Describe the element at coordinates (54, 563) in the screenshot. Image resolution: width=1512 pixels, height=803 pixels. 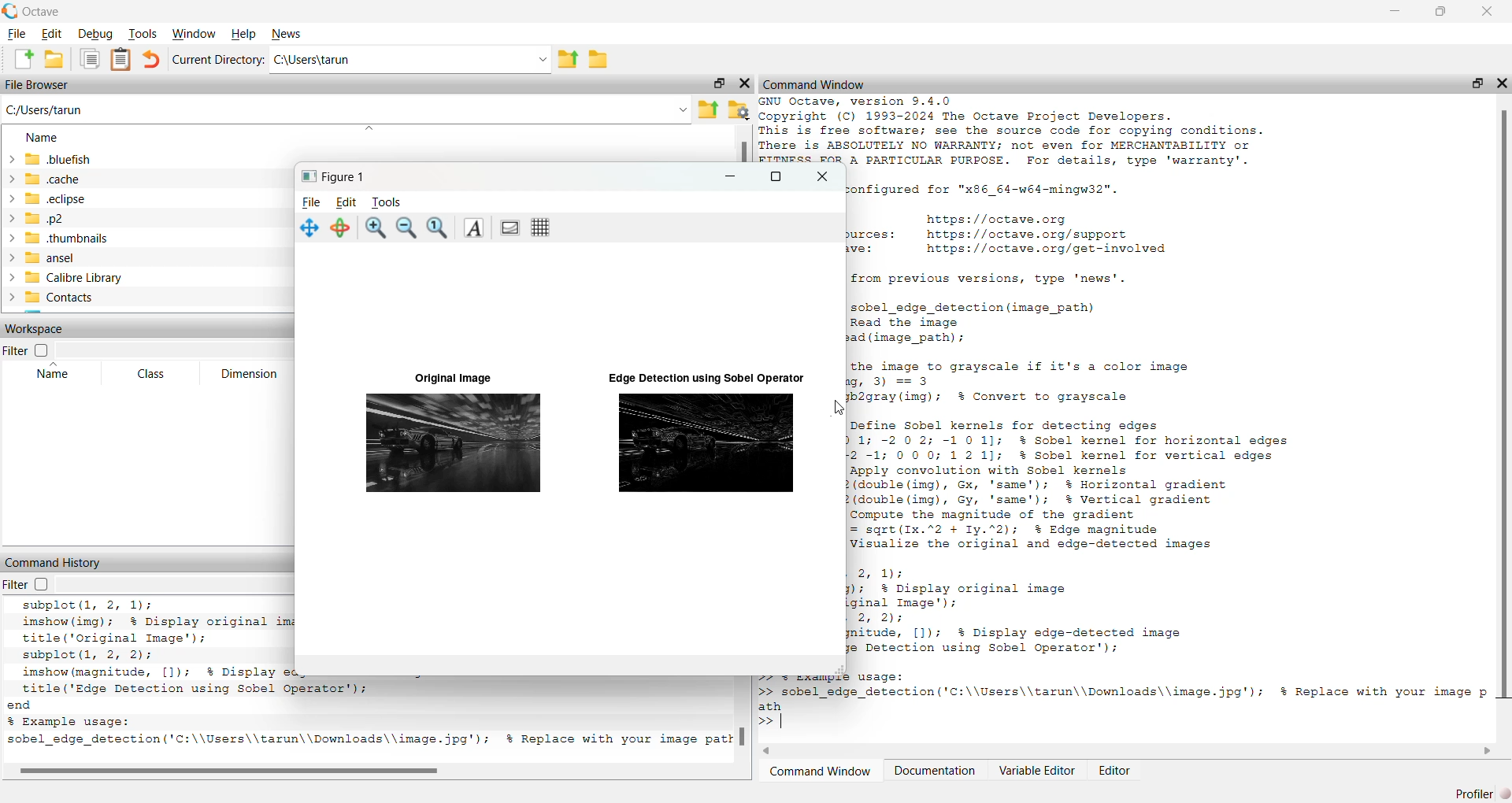
I see `Command History` at that location.